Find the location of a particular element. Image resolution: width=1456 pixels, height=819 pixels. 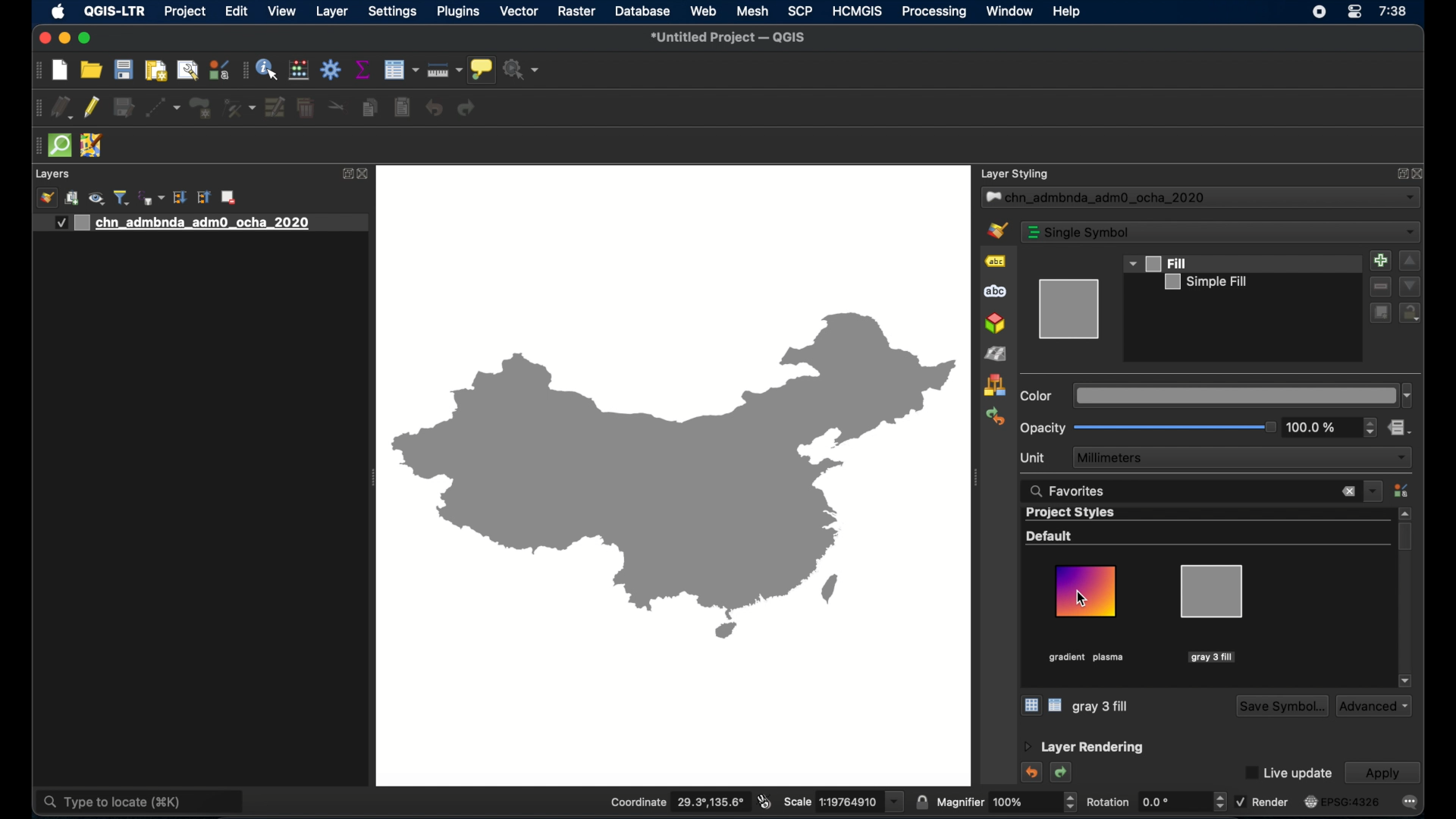

dropdown is located at coordinates (1242, 396).